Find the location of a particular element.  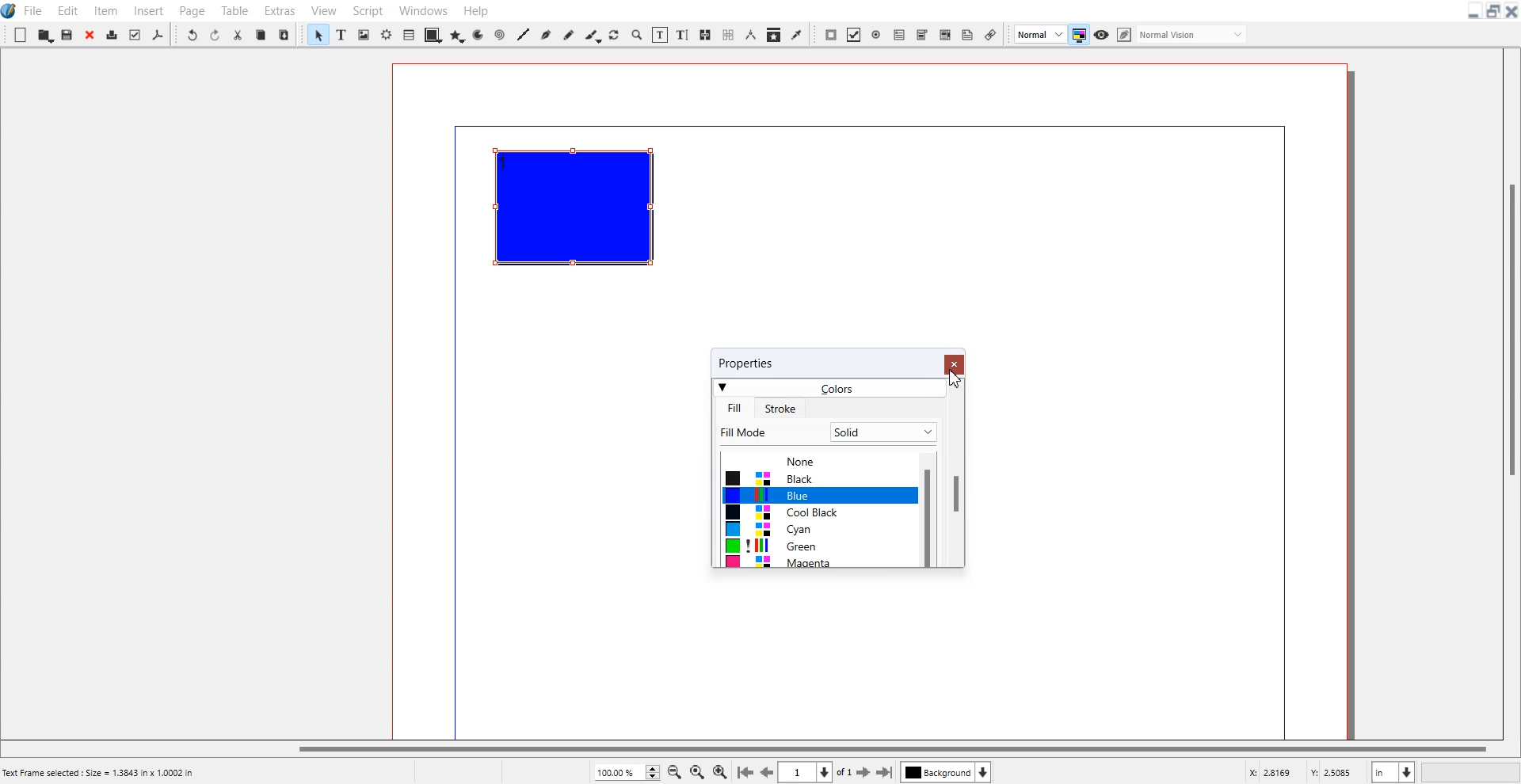

Zoom In to out is located at coordinates (637, 34).